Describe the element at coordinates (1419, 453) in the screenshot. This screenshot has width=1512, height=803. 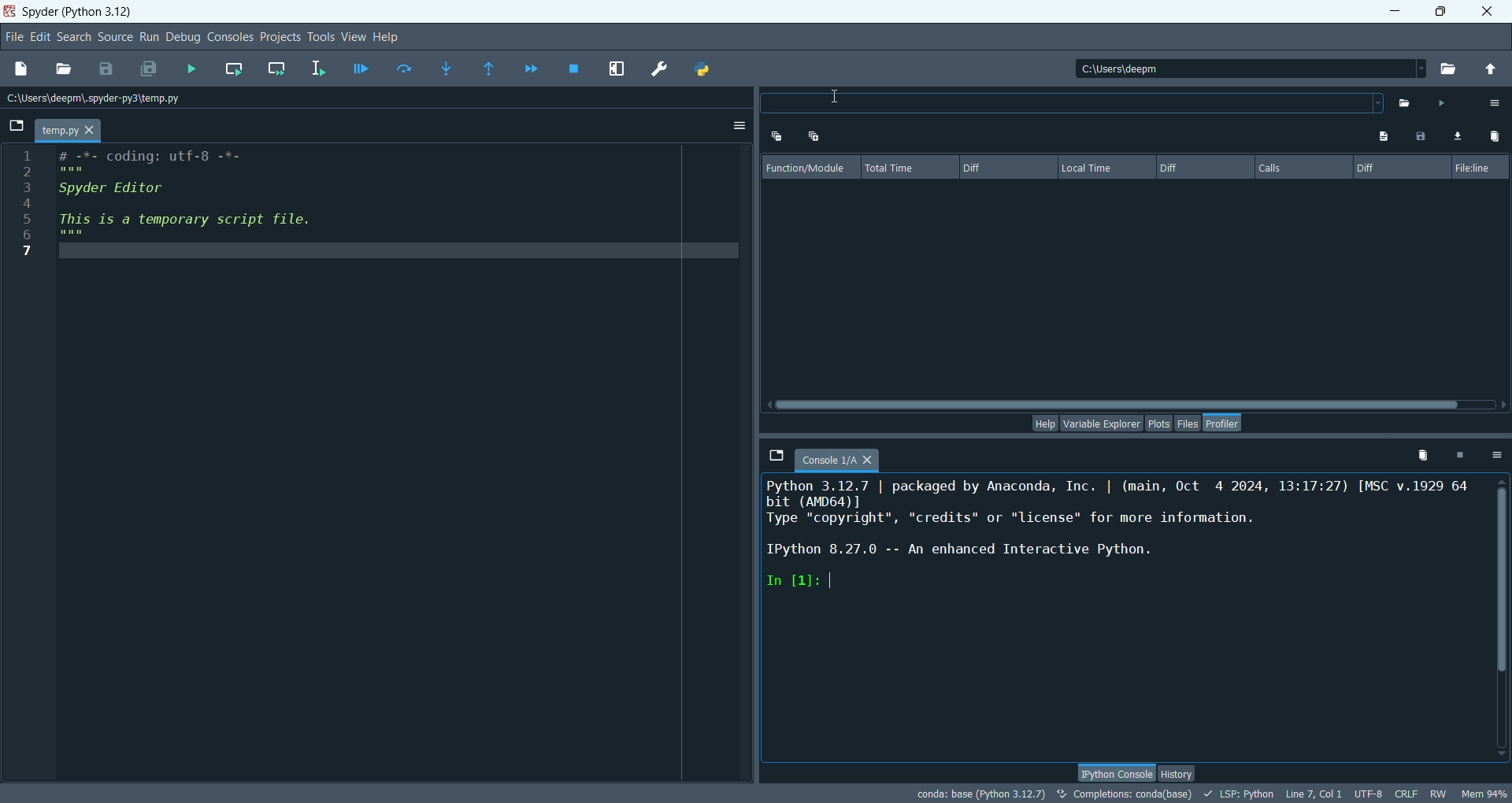
I see `remove` at that location.